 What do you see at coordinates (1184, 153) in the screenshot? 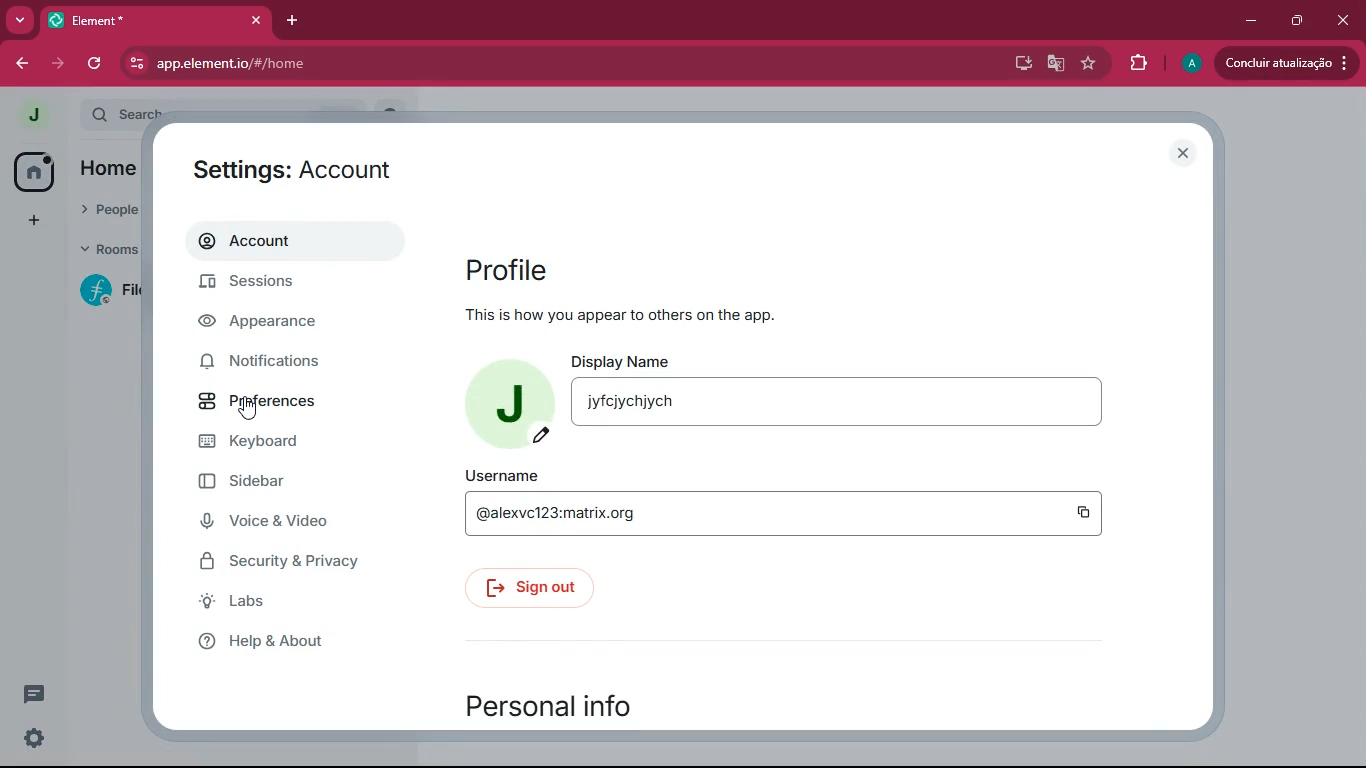
I see `close` at bounding box center [1184, 153].